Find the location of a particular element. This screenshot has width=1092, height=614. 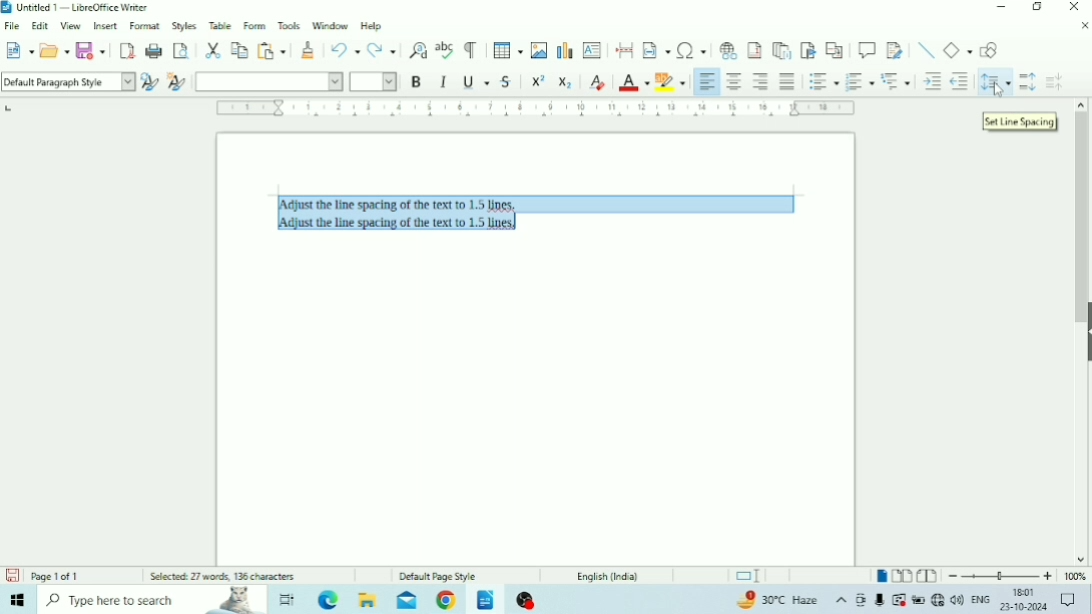

Minimize is located at coordinates (1001, 7).